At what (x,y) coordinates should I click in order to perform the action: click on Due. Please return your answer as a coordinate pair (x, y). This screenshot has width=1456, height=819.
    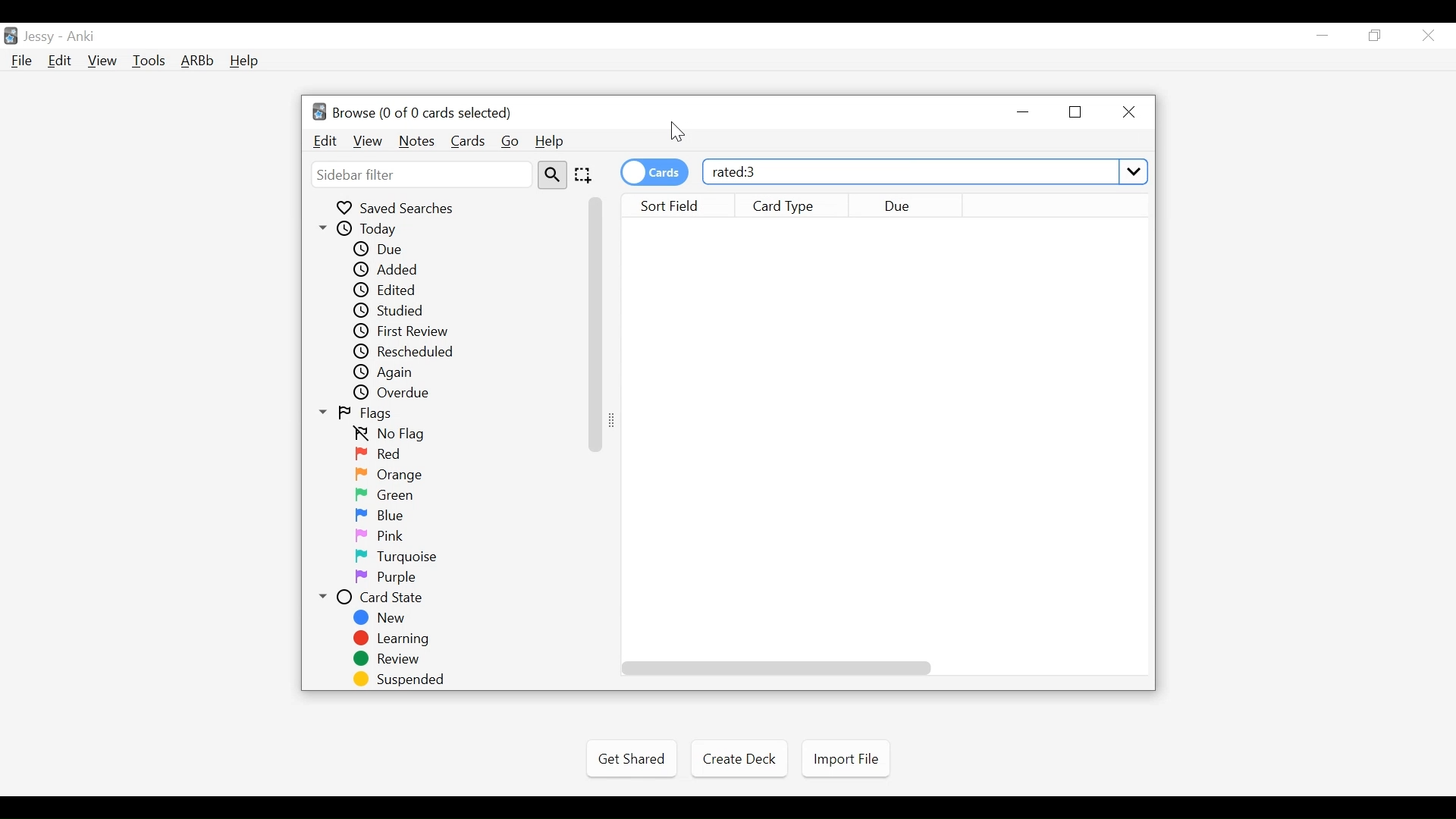
    Looking at the image, I should click on (912, 206).